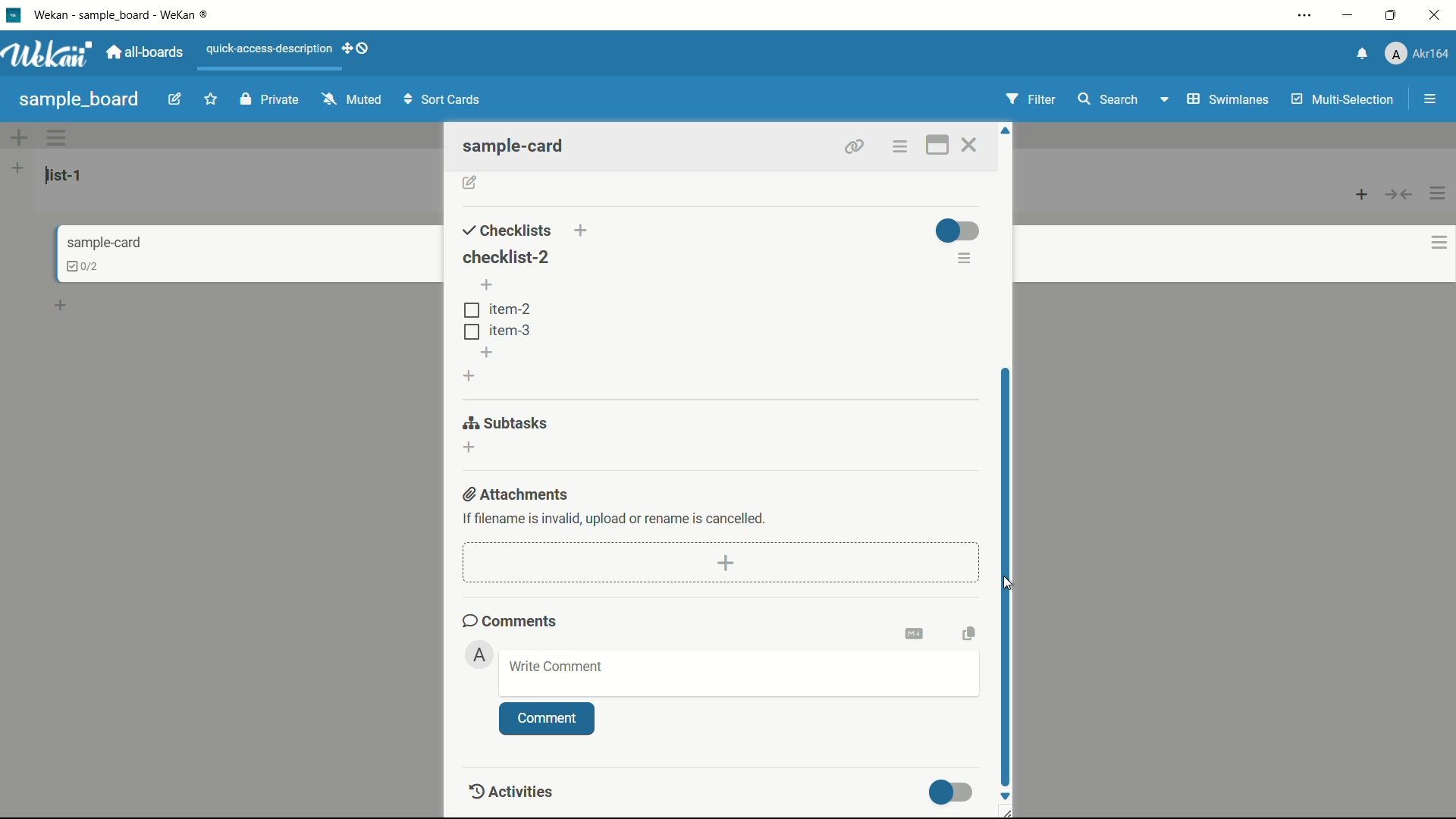 This screenshot has height=819, width=1456. What do you see at coordinates (504, 256) in the screenshot?
I see `checklist-2` at bounding box center [504, 256].